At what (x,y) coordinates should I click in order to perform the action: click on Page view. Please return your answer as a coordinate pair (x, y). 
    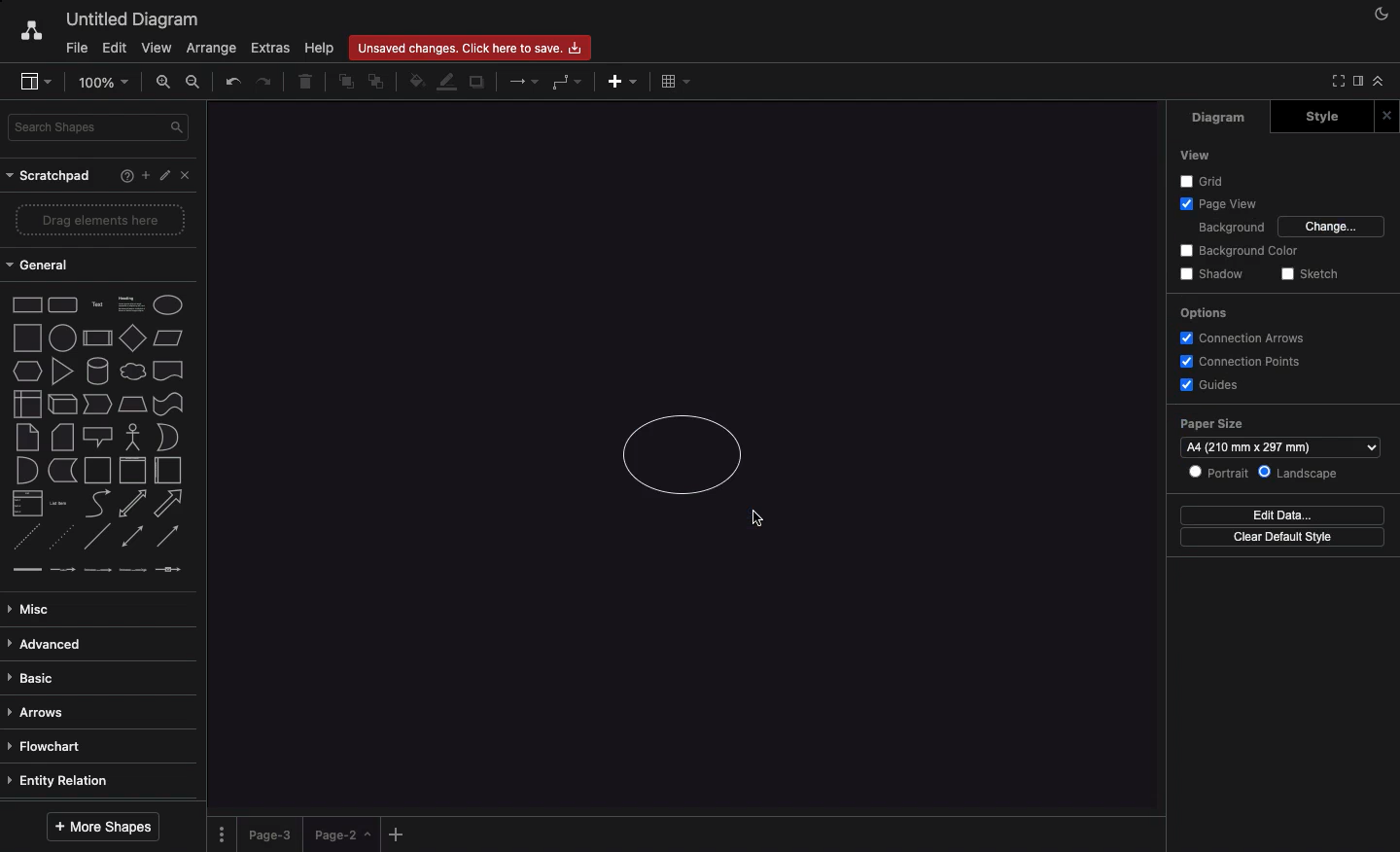
    Looking at the image, I should click on (1220, 203).